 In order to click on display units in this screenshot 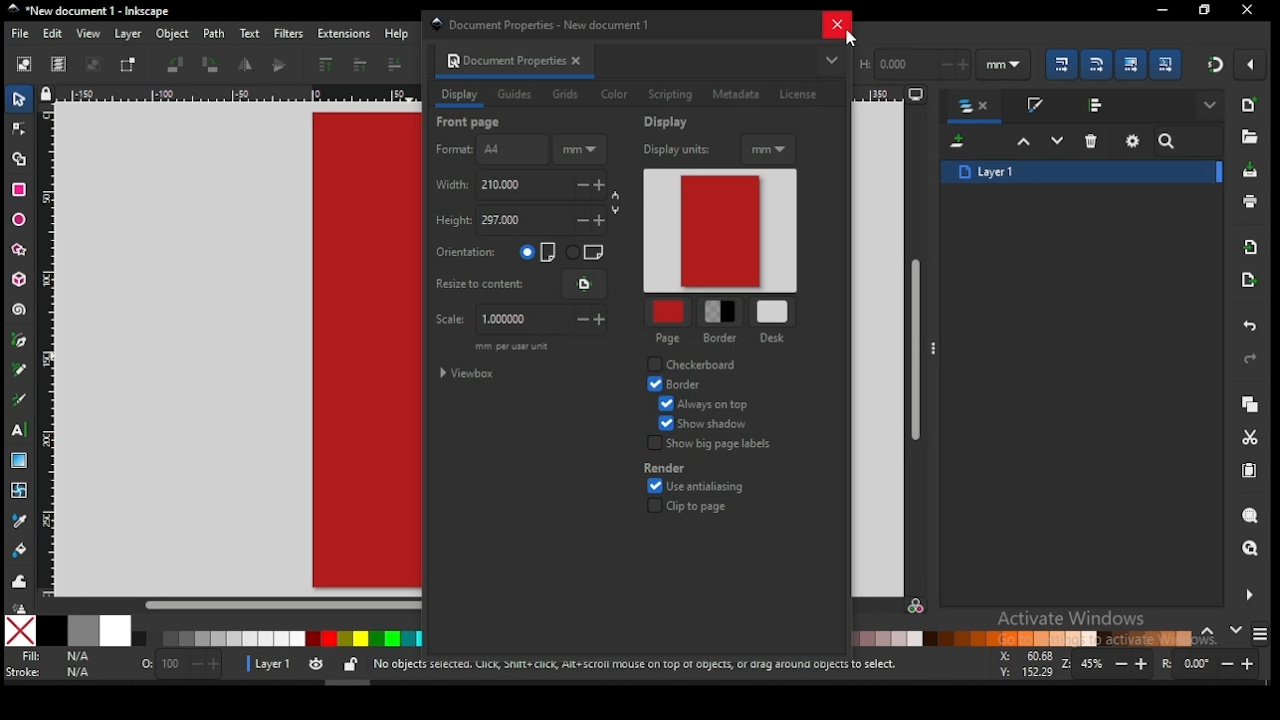, I will do `click(719, 151)`.